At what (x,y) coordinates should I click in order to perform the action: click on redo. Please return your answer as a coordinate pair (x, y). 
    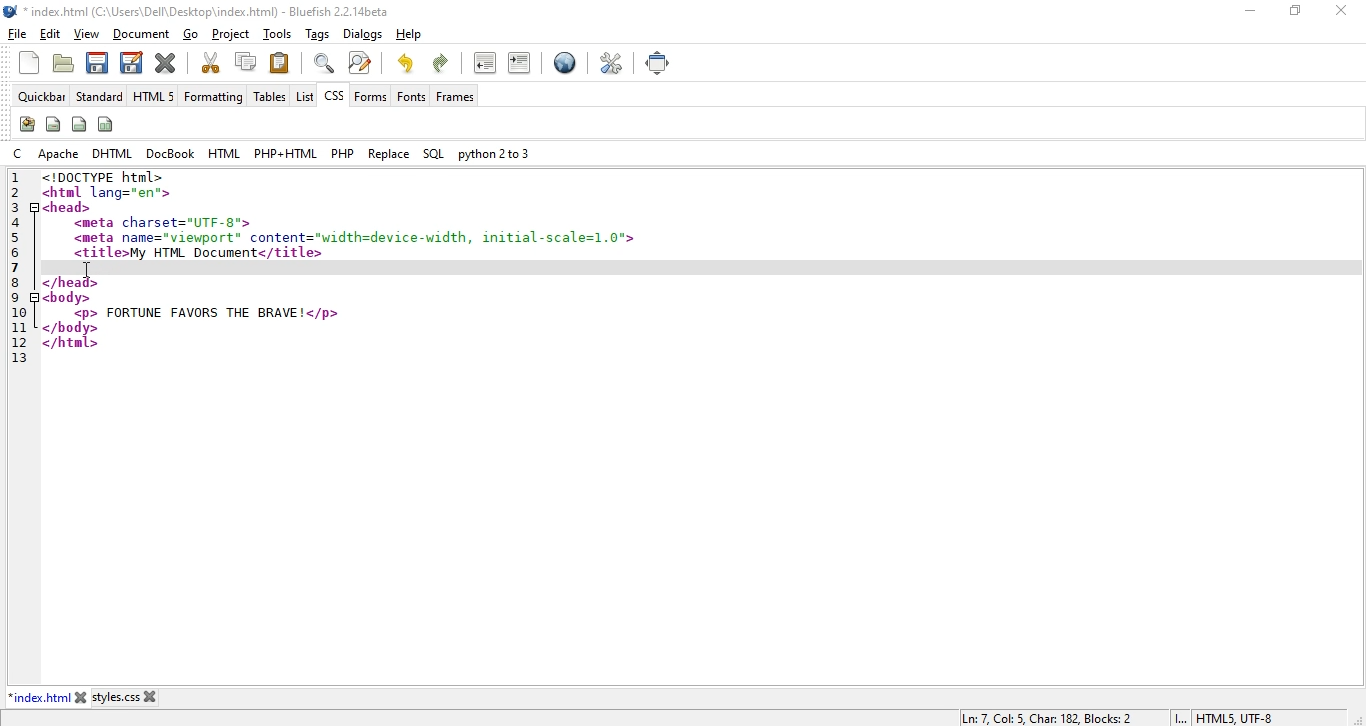
    Looking at the image, I should click on (444, 61).